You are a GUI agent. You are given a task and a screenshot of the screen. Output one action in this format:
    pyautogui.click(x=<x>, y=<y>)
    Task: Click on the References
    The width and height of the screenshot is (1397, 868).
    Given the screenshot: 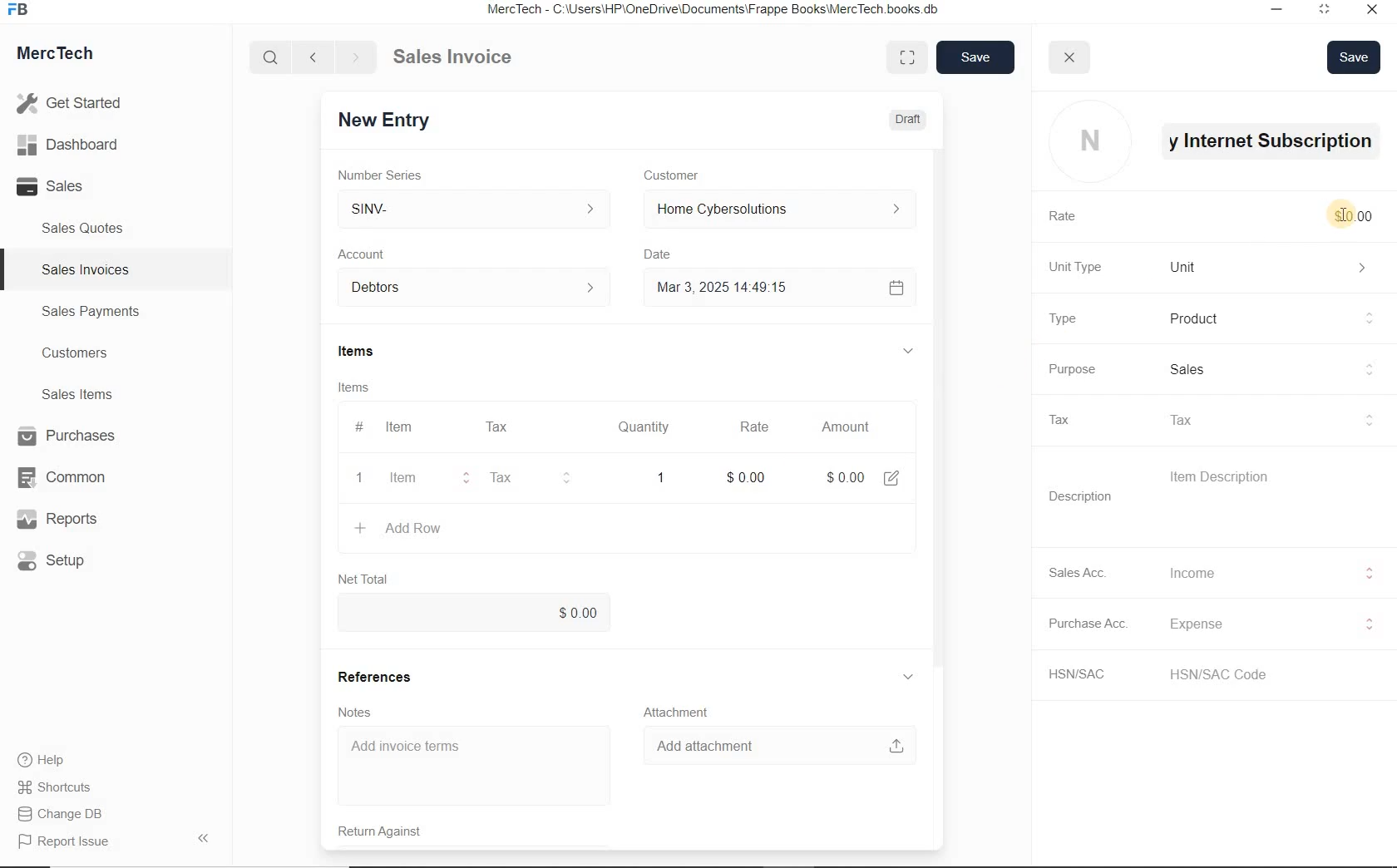 What is the action you would take?
    pyautogui.click(x=378, y=675)
    